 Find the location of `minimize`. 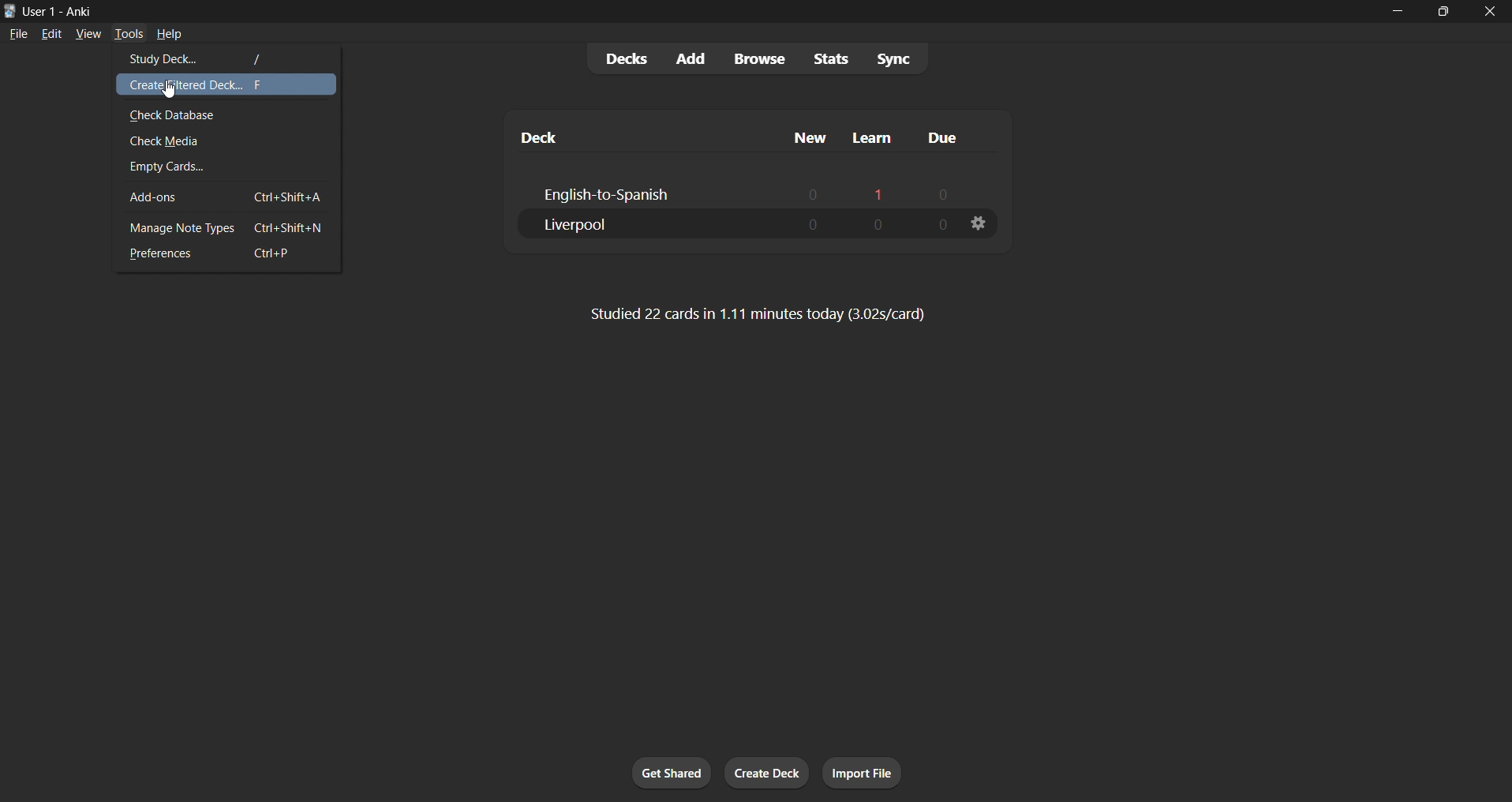

minimize is located at coordinates (1388, 12).